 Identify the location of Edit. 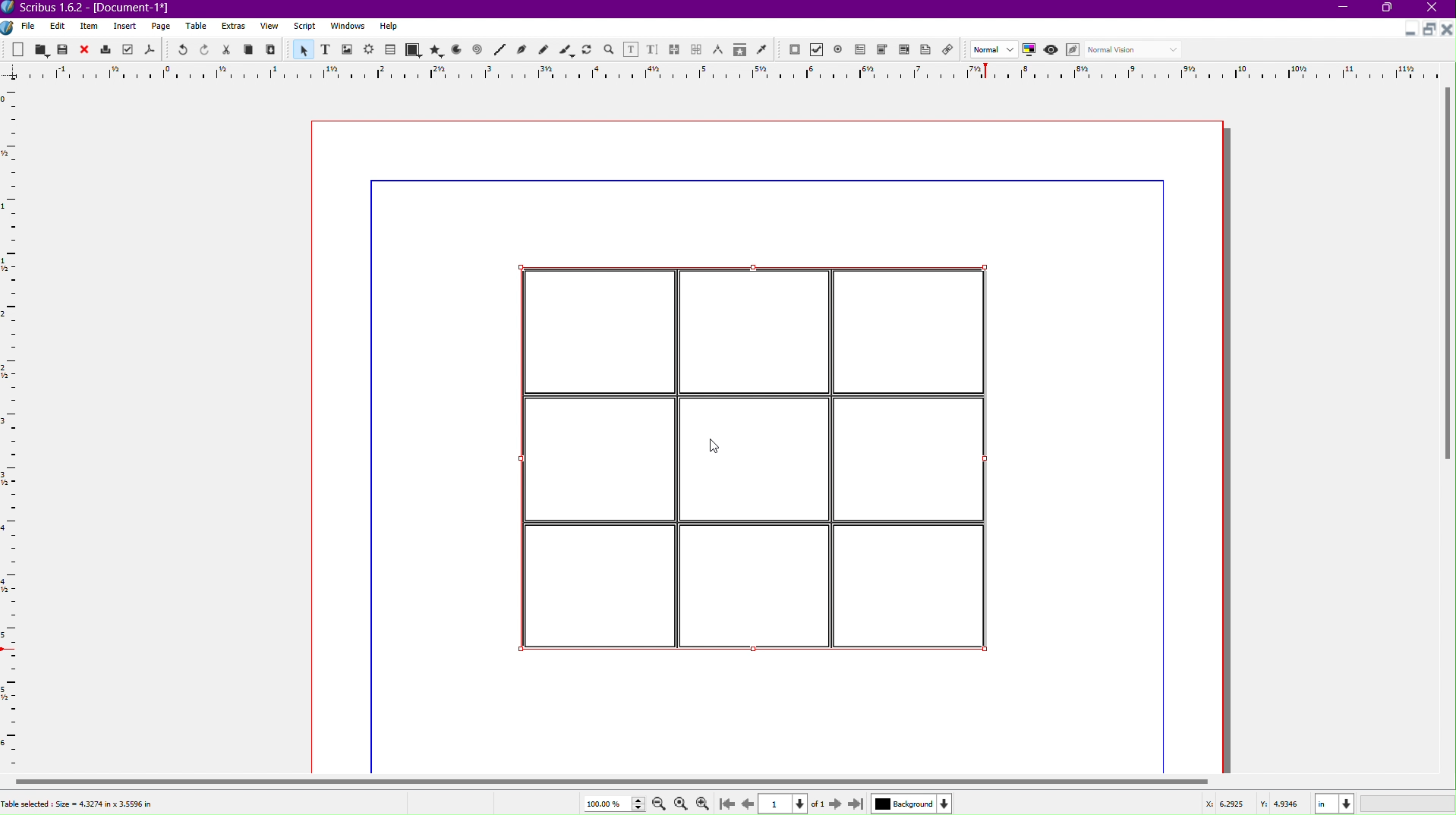
(57, 26).